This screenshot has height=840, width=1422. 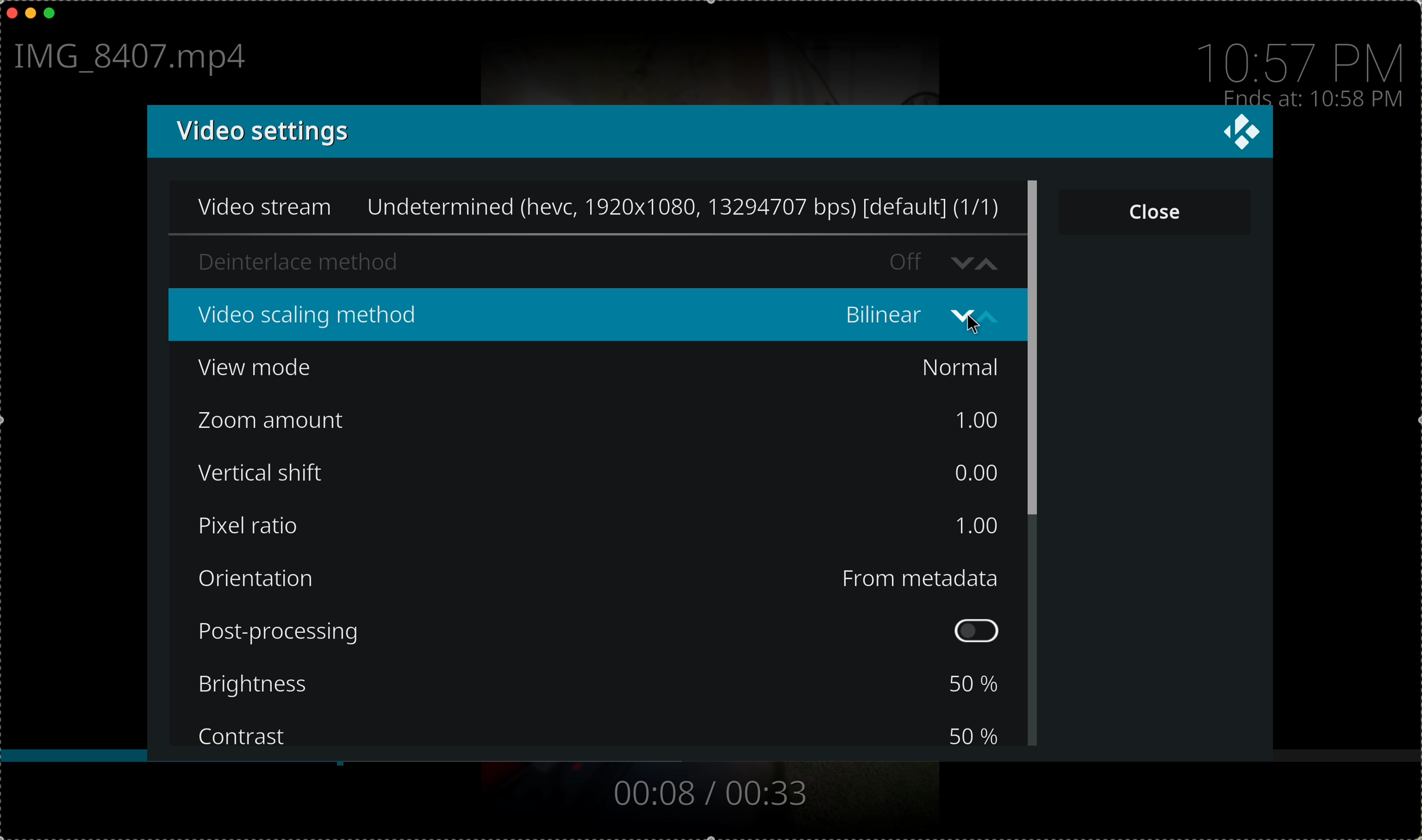 What do you see at coordinates (711, 760) in the screenshot?
I see `timeline` at bounding box center [711, 760].